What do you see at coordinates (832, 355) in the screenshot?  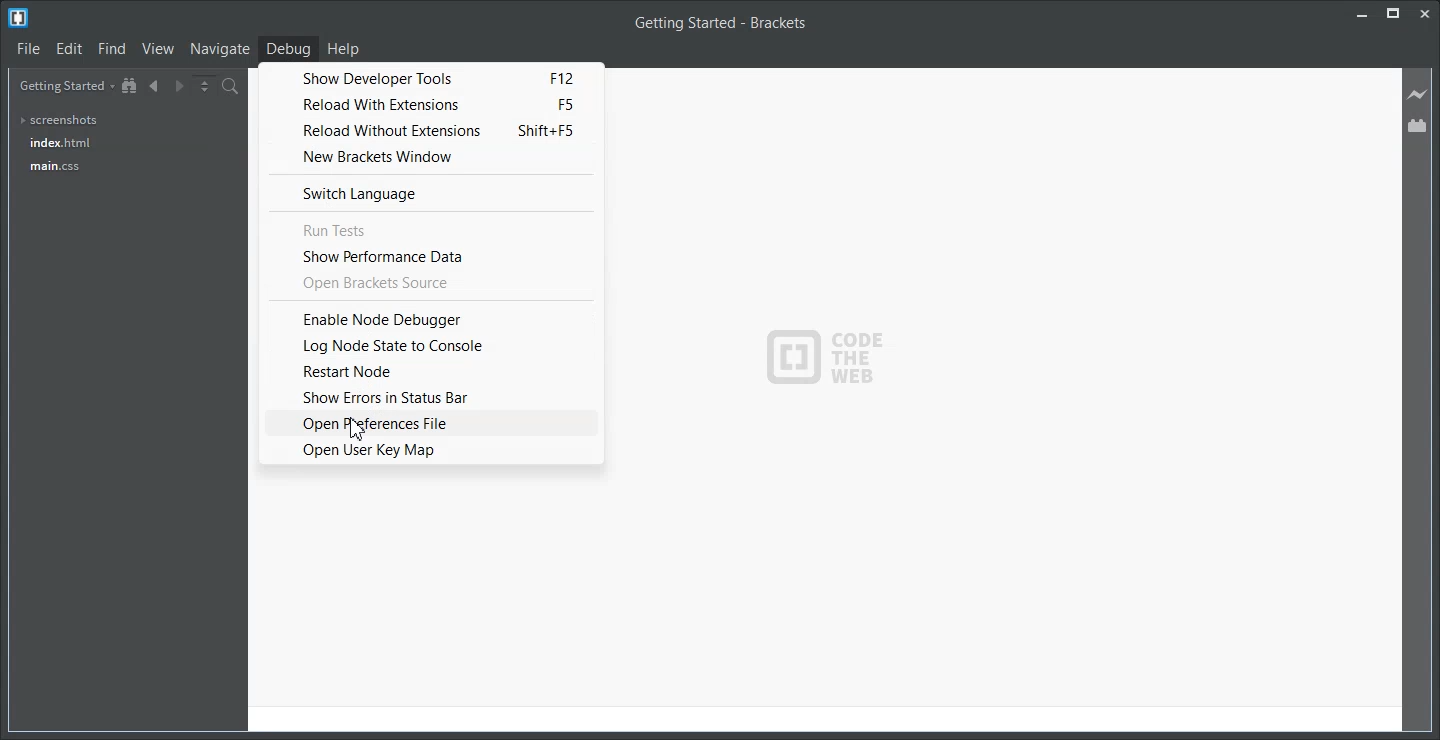 I see `Logo` at bounding box center [832, 355].